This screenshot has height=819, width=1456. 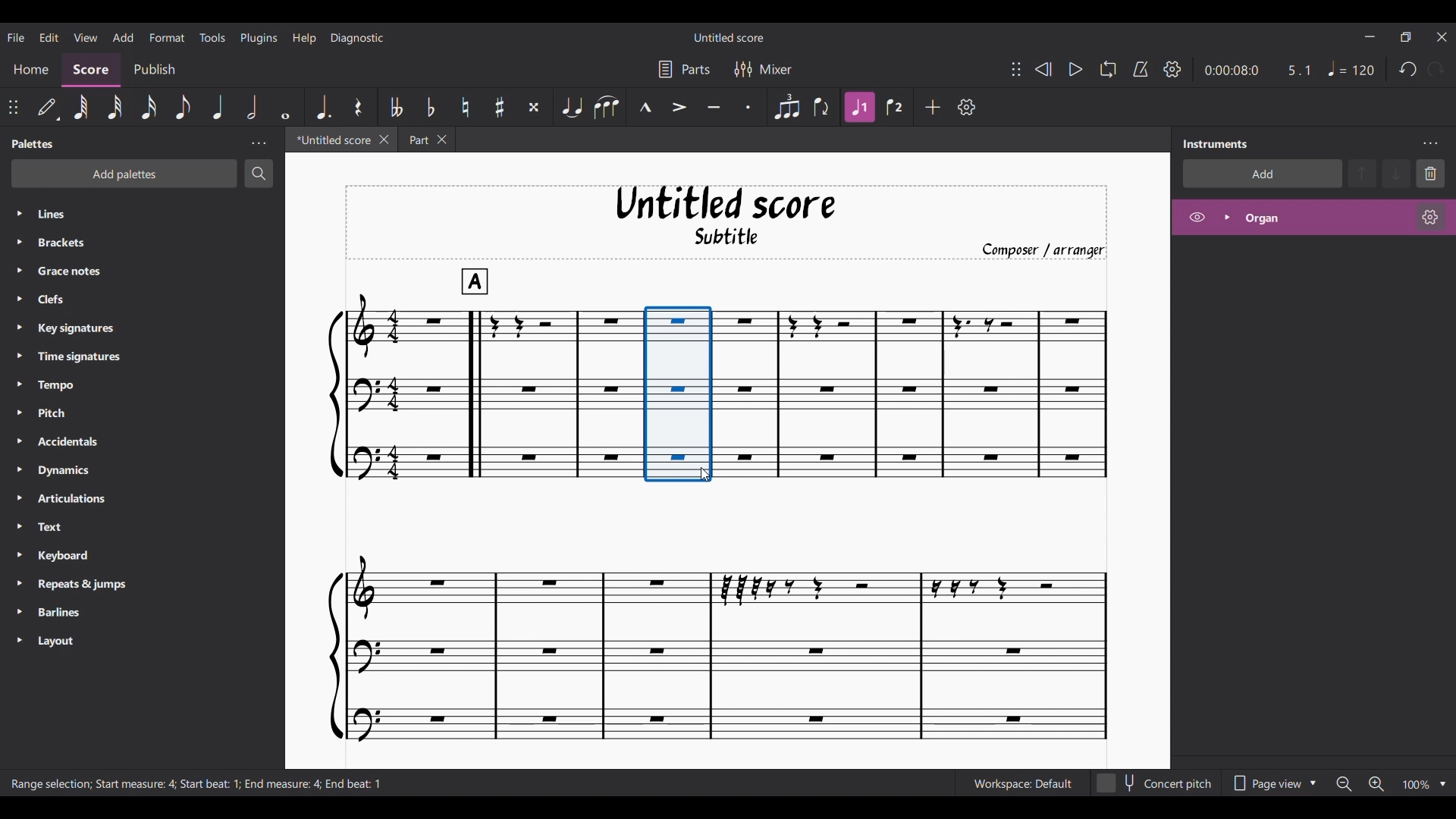 What do you see at coordinates (1436, 70) in the screenshot?
I see `Redo` at bounding box center [1436, 70].